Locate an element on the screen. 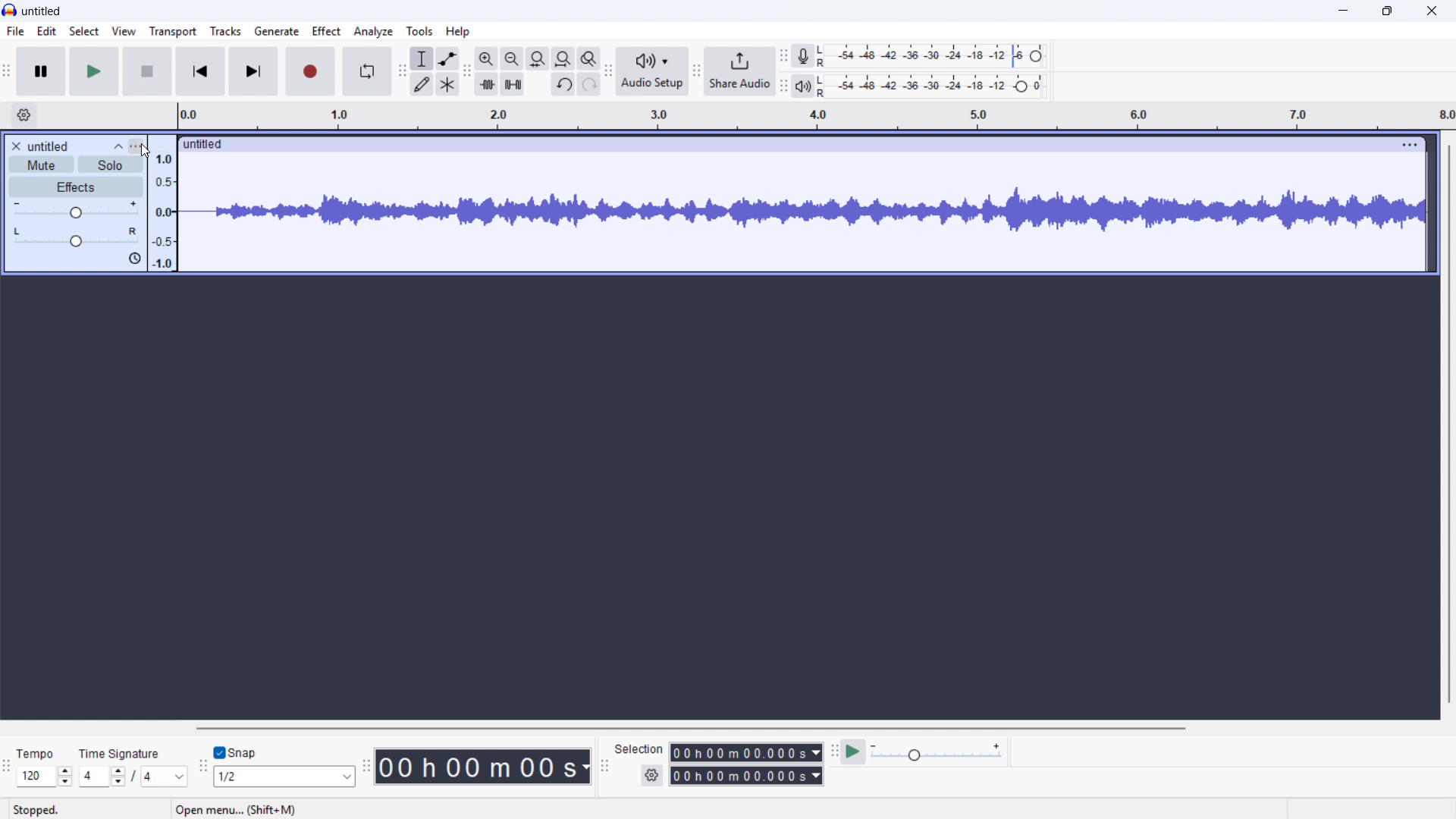 This screenshot has width=1456, height=819. Enable looping  is located at coordinates (366, 71).